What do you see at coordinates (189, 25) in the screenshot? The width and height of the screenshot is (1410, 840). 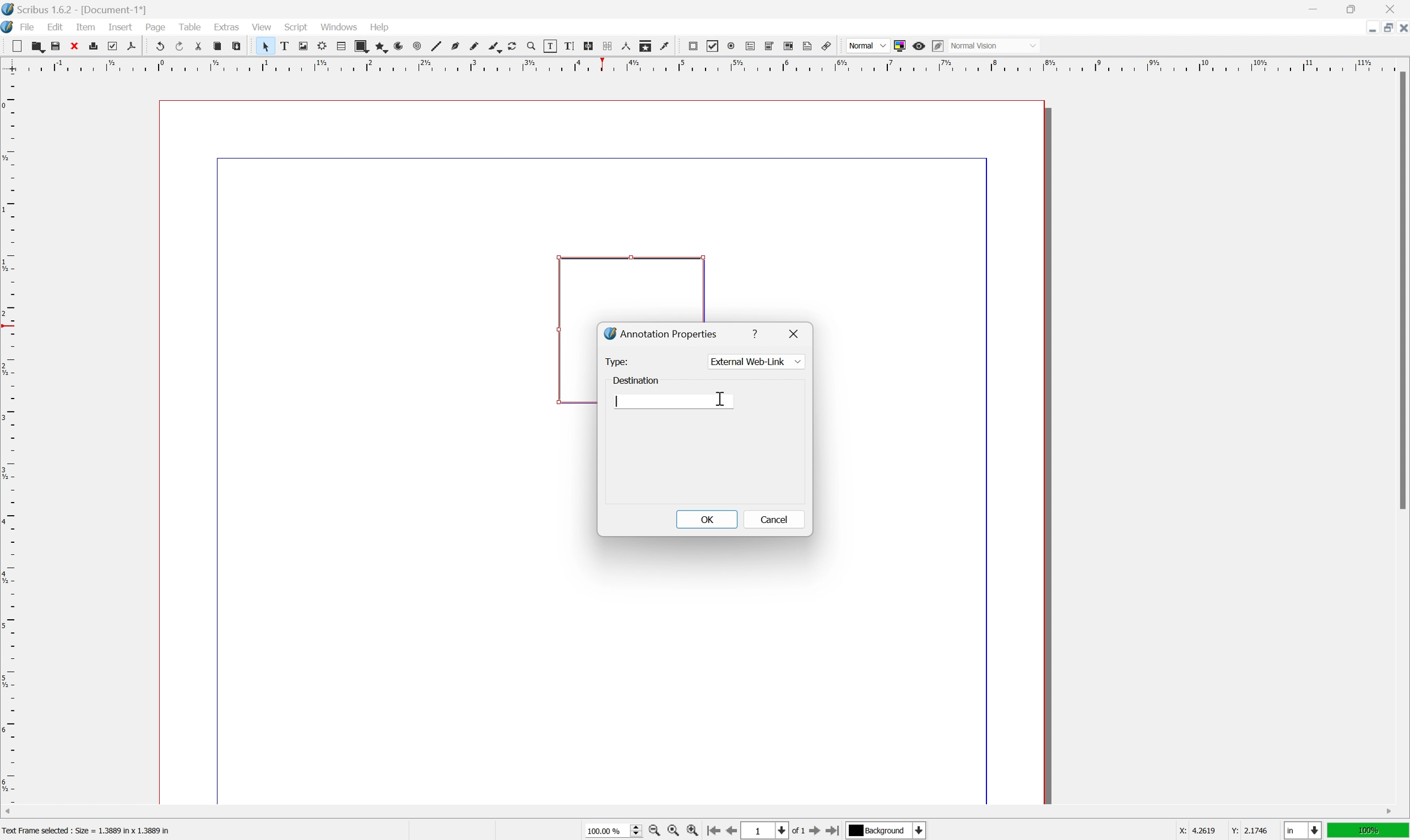 I see `table` at bounding box center [189, 25].